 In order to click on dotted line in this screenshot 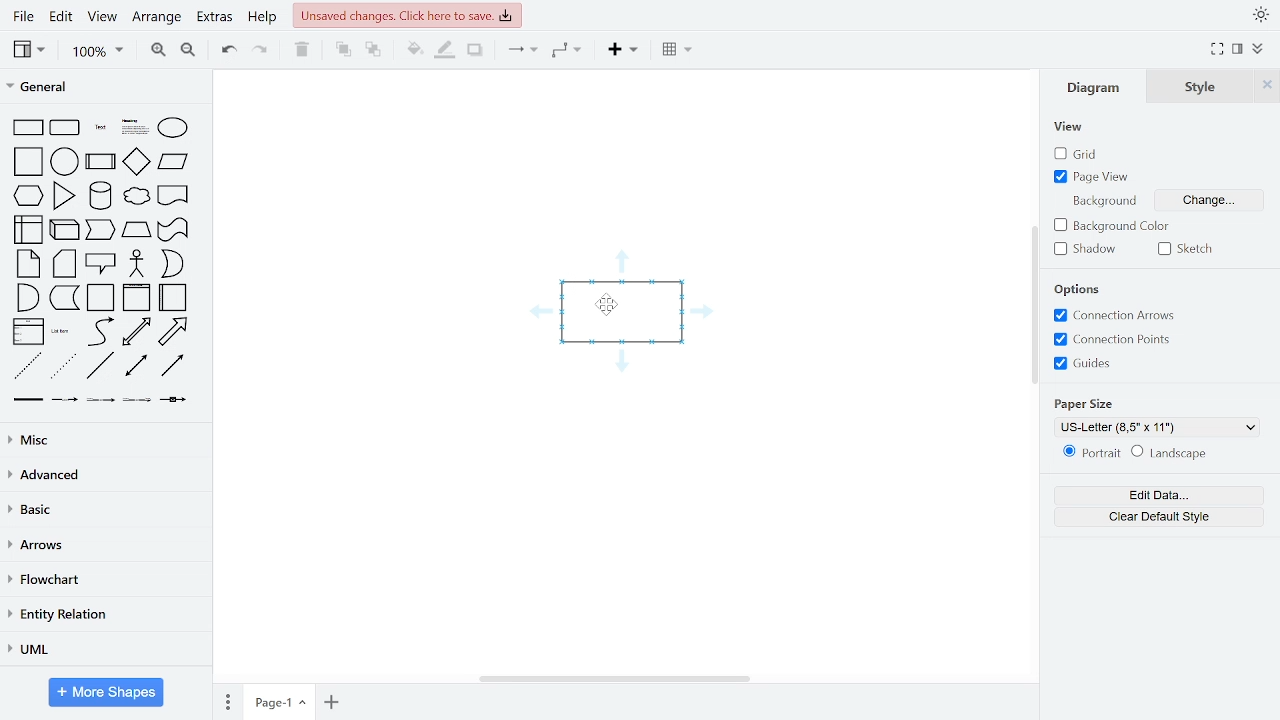, I will do `click(66, 365)`.